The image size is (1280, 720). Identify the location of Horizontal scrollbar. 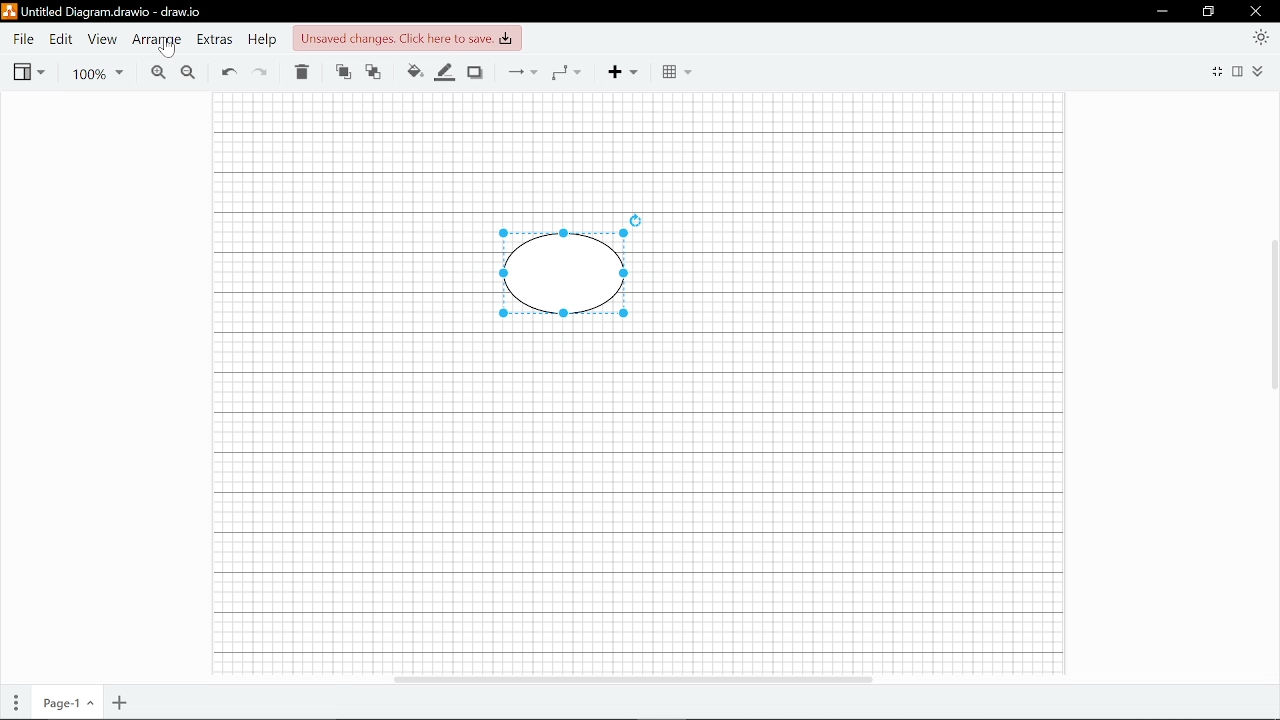
(631, 676).